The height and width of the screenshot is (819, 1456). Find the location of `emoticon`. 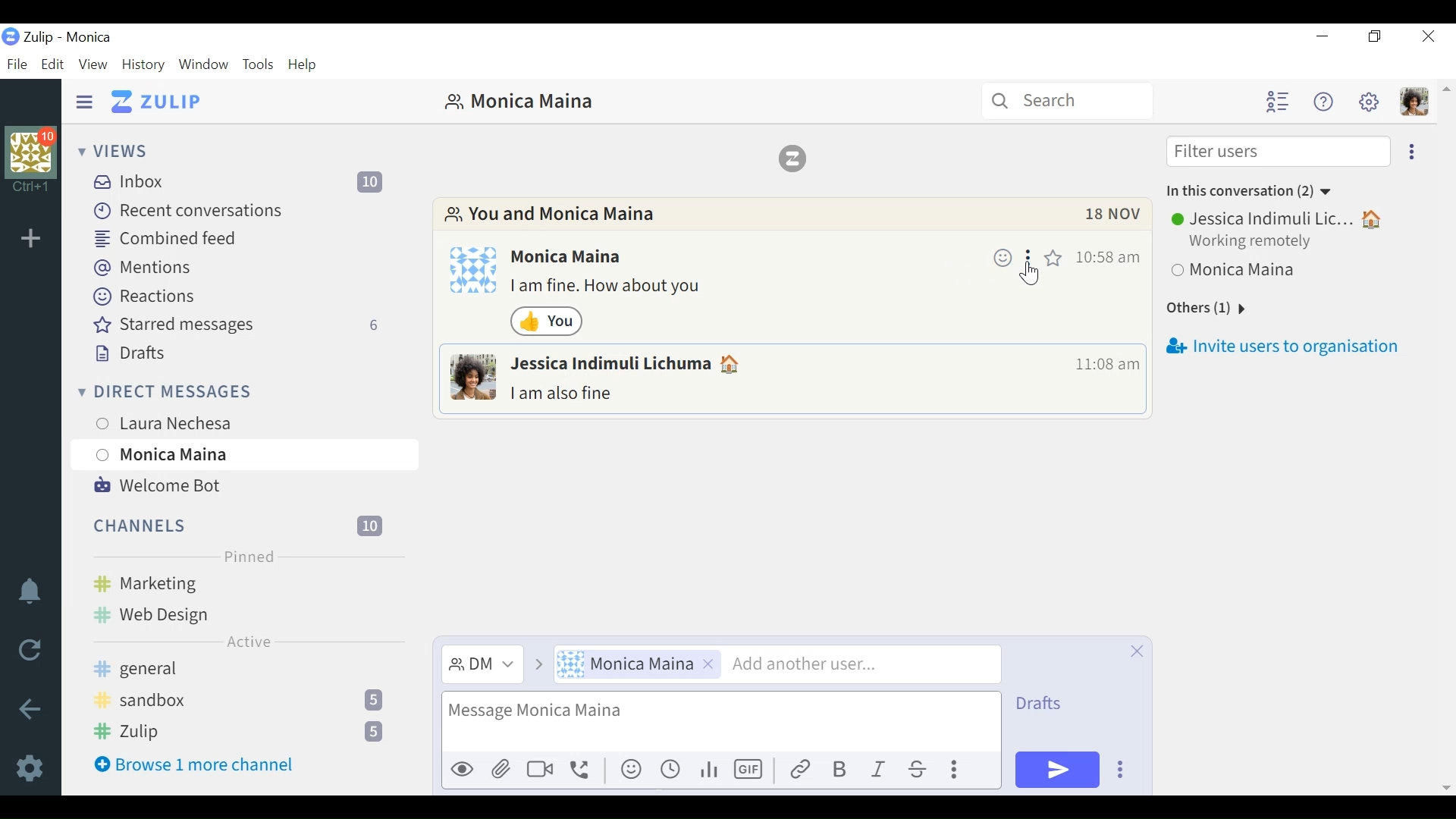

emoticon is located at coordinates (633, 770).